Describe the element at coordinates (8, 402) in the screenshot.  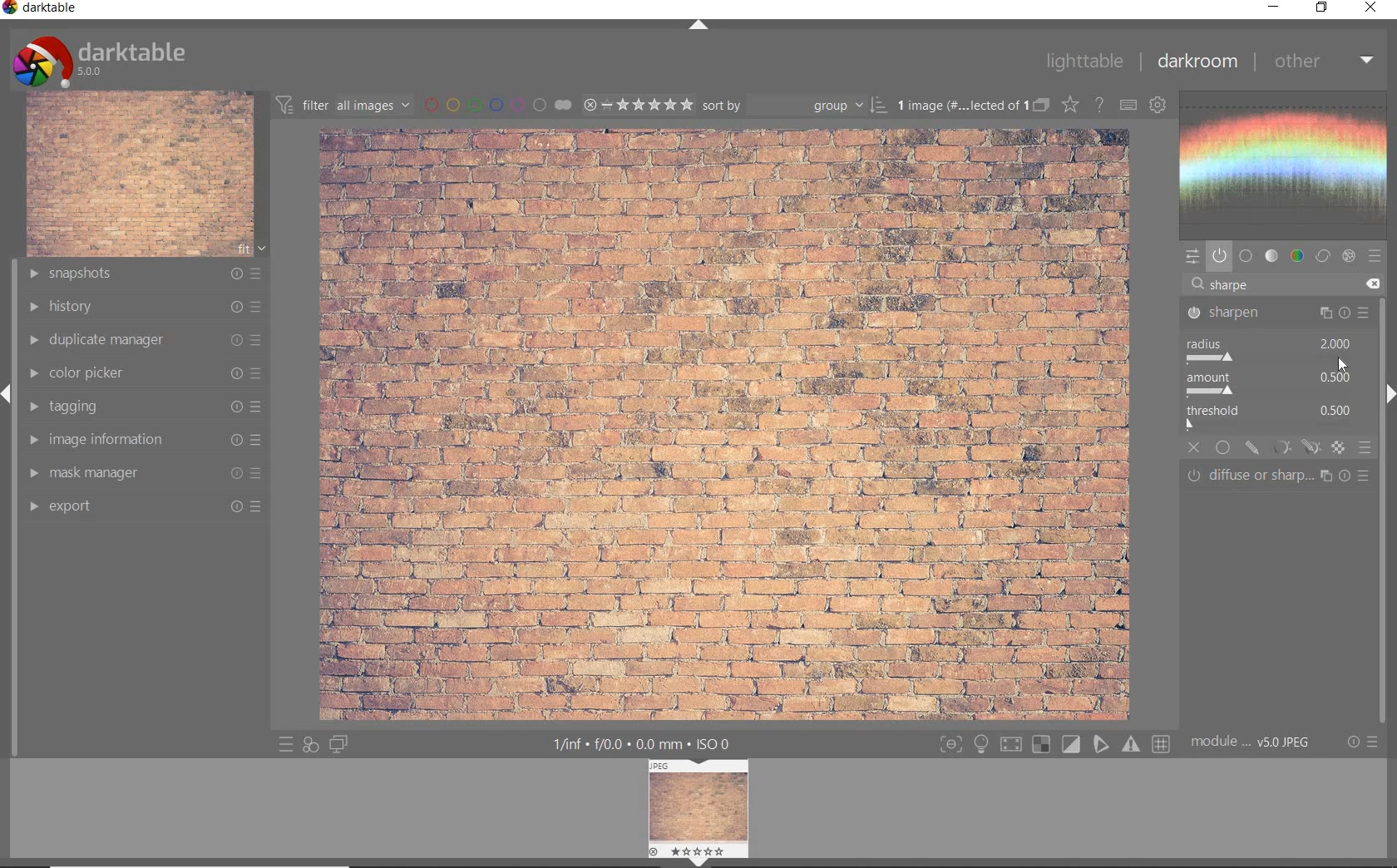
I see `previous` at that location.